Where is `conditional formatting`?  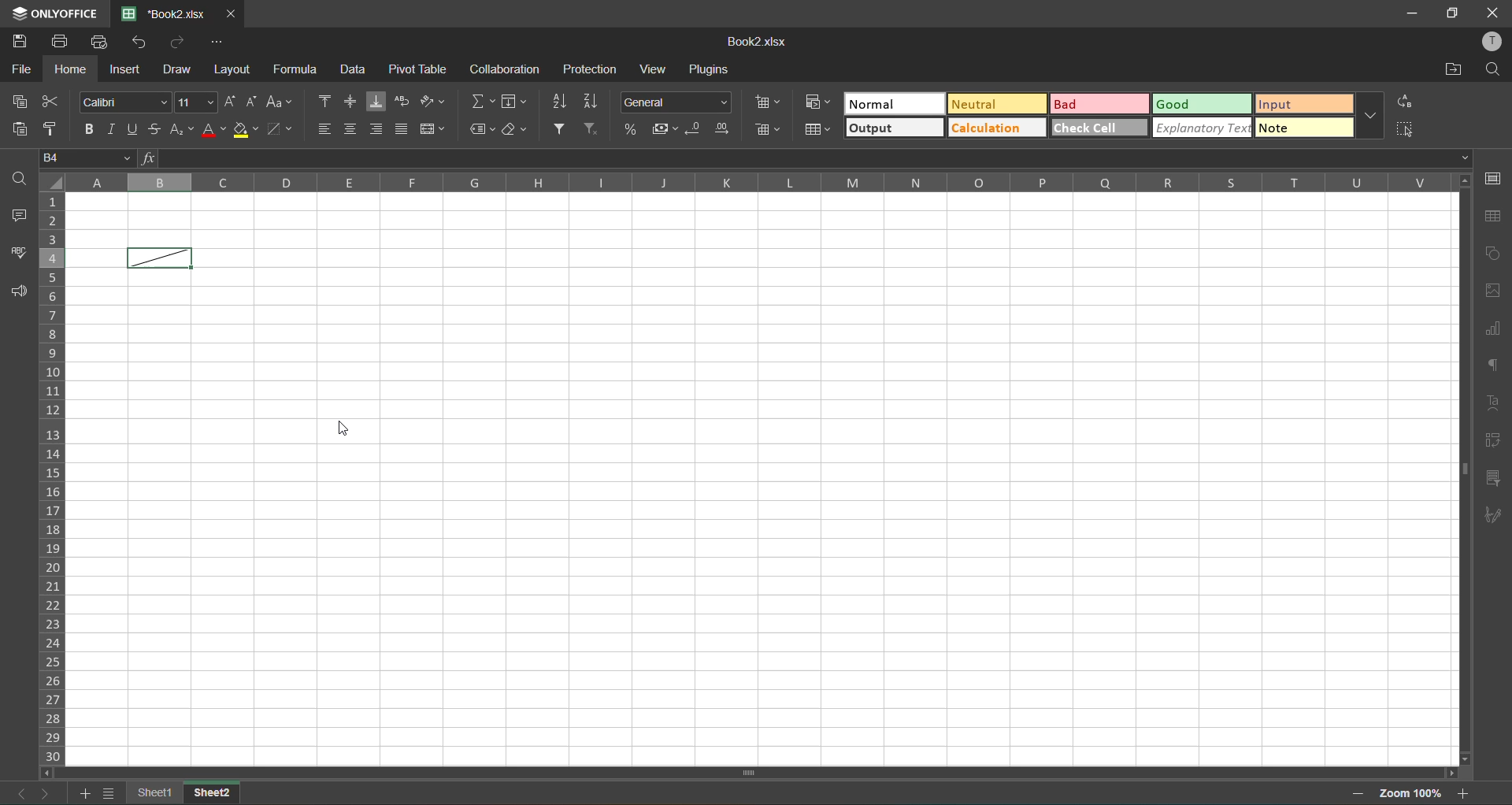 conditional formatting is located at coordinates (821, 104).